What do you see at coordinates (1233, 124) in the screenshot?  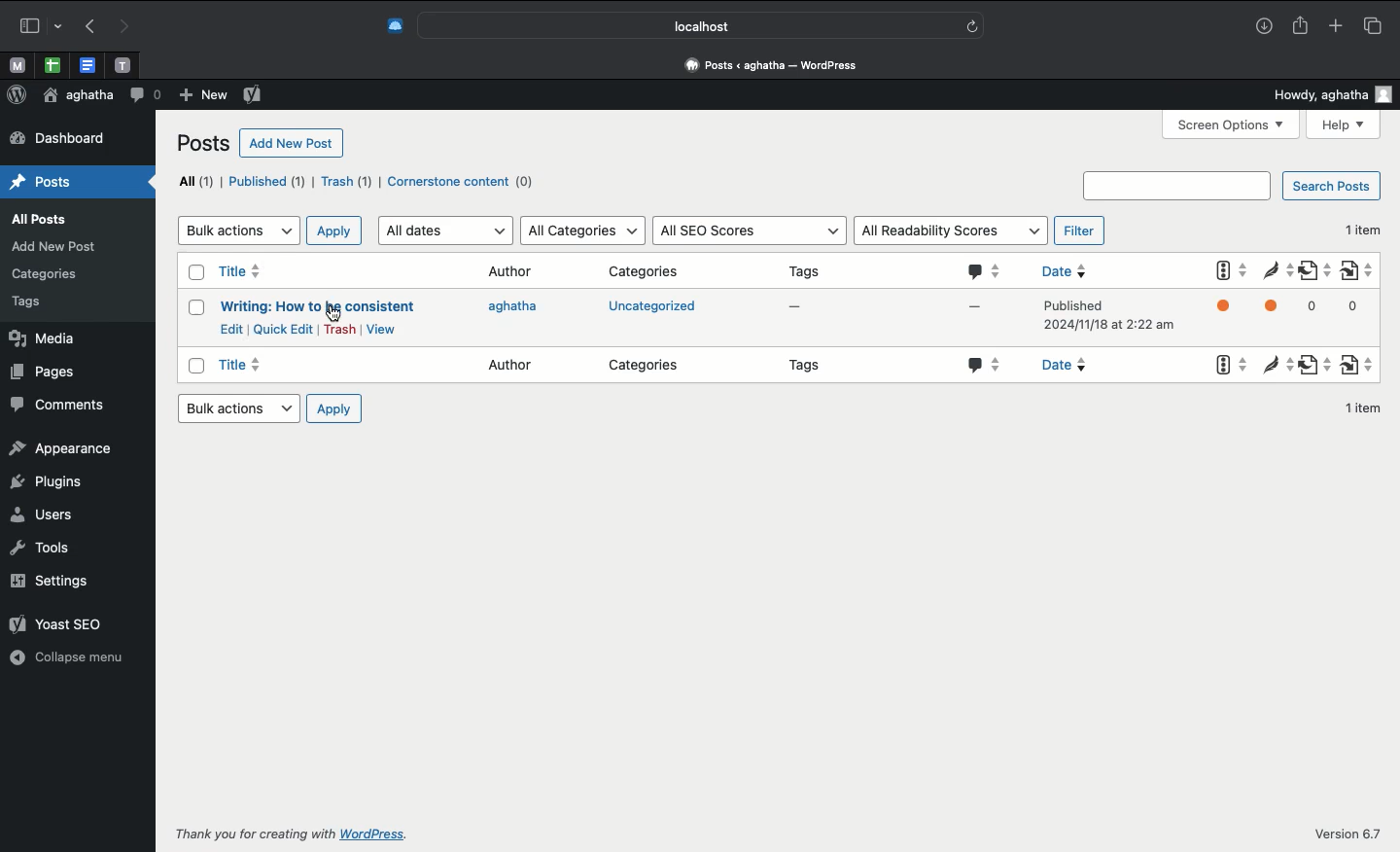 I see `Screen options` at bounding box center [1233, 124].